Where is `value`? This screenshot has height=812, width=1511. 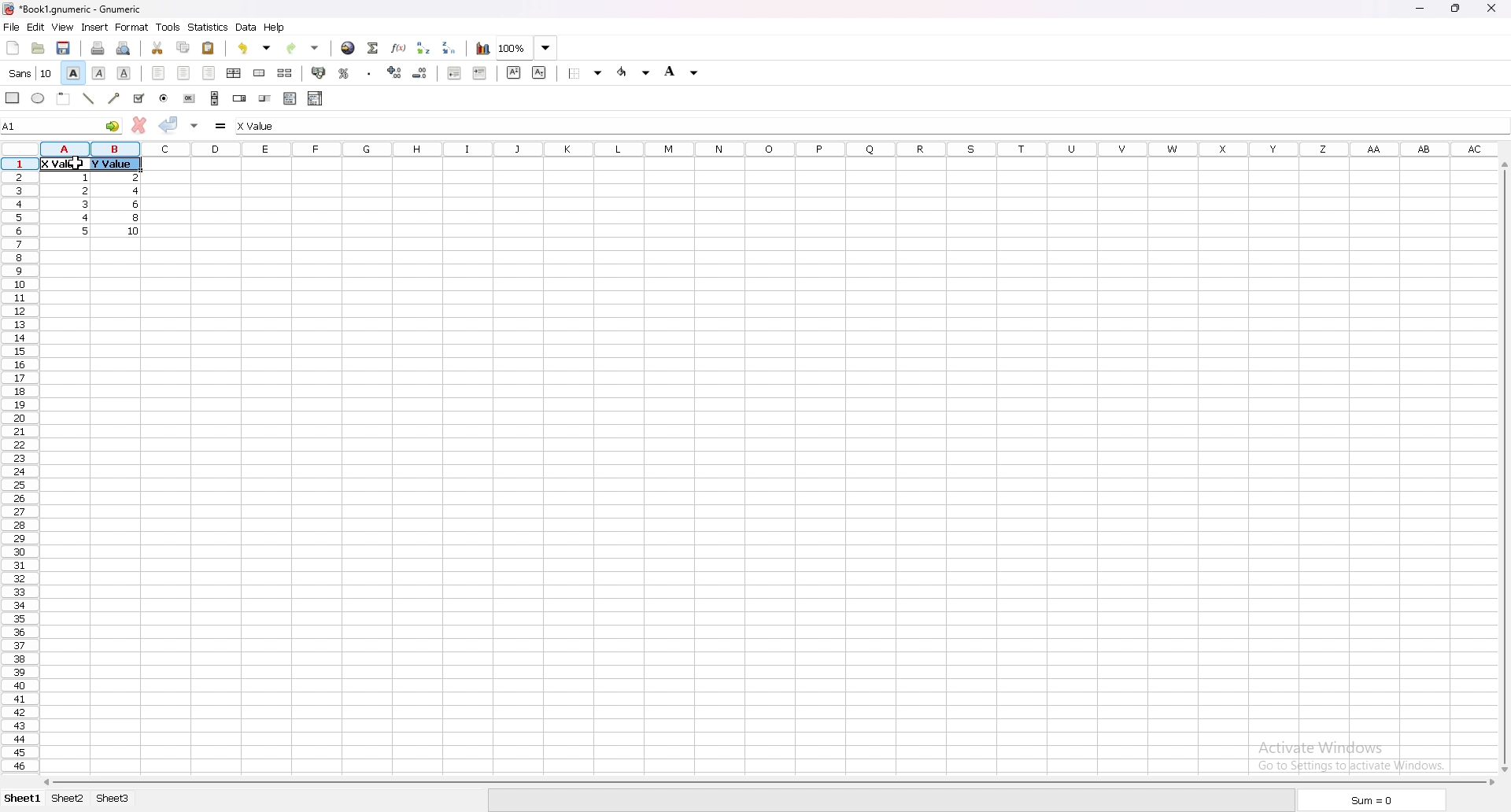 value is located at coordinates (135, 231).